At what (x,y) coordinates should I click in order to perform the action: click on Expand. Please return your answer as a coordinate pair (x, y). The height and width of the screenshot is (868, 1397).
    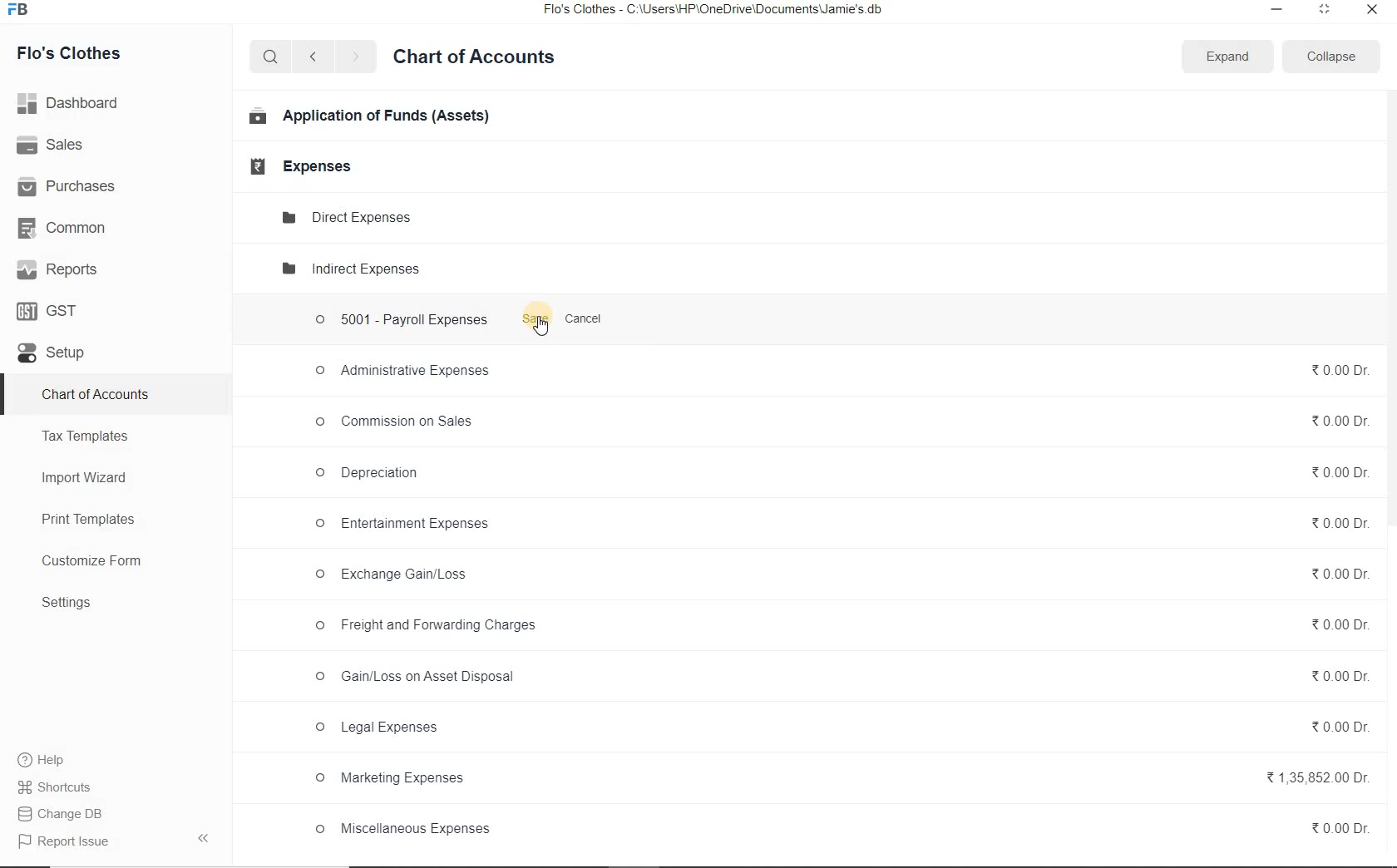
    Looking at the image, I should click on (1228, 56).